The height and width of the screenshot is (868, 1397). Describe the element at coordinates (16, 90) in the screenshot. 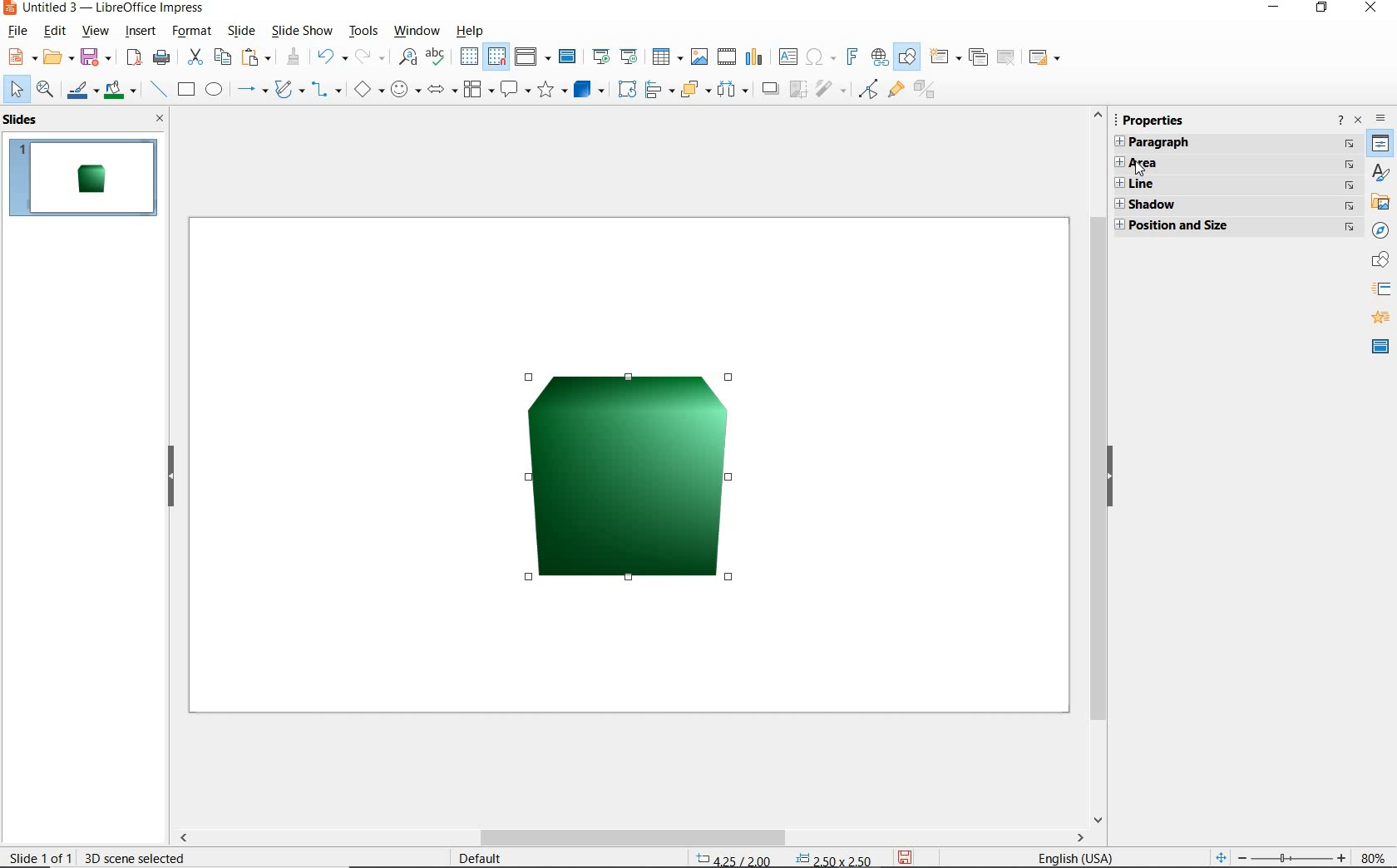

I see `select` at that location.